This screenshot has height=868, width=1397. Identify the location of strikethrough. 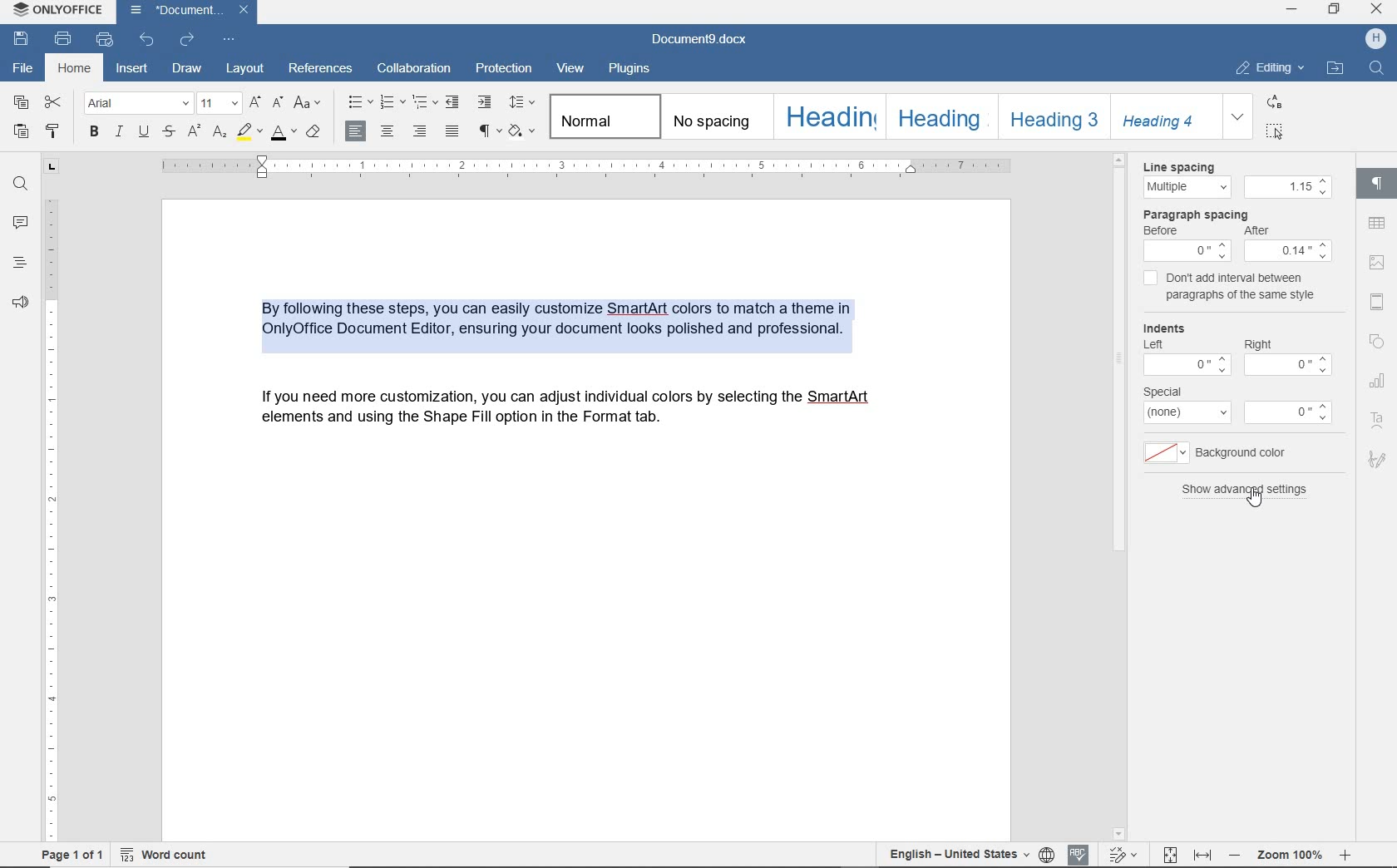
(168, 133).